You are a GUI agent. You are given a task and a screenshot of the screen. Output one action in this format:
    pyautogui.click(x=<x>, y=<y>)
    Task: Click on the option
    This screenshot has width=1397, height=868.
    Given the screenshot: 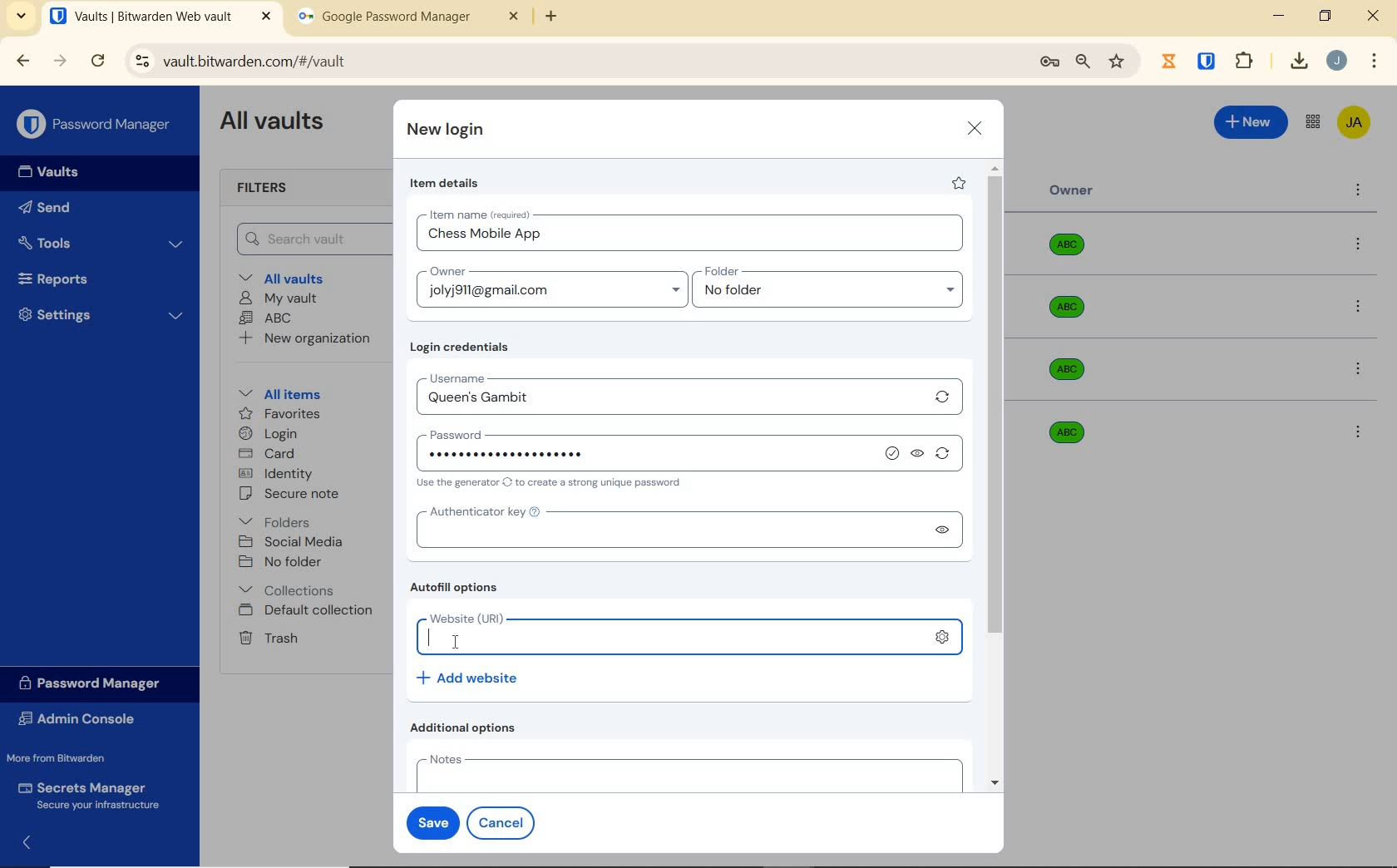 What is the action you would take?
    pyautogui.click(x=1357, y=431)
    